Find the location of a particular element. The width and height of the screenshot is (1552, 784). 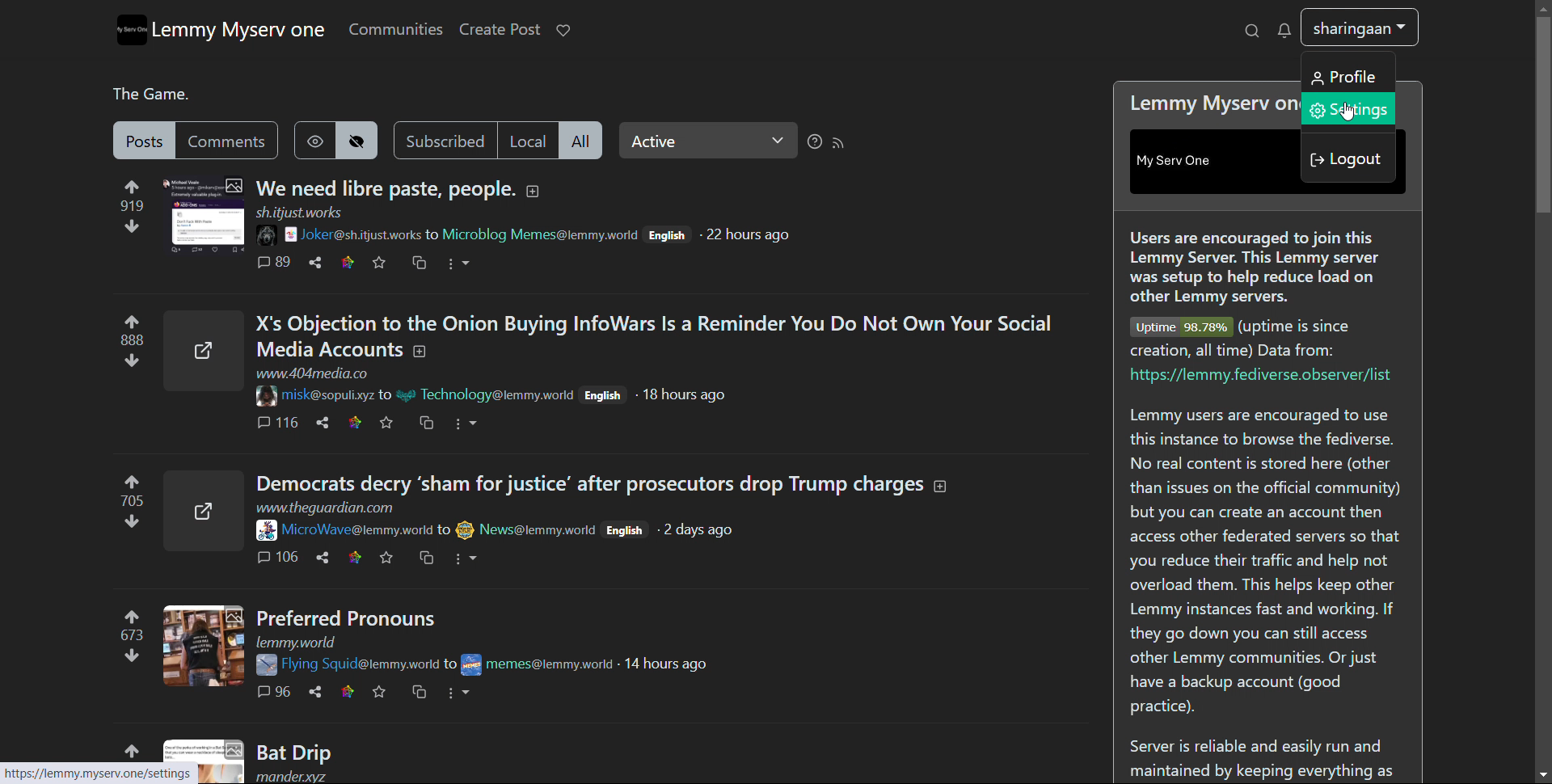

to is located at coordinates (382, 395).